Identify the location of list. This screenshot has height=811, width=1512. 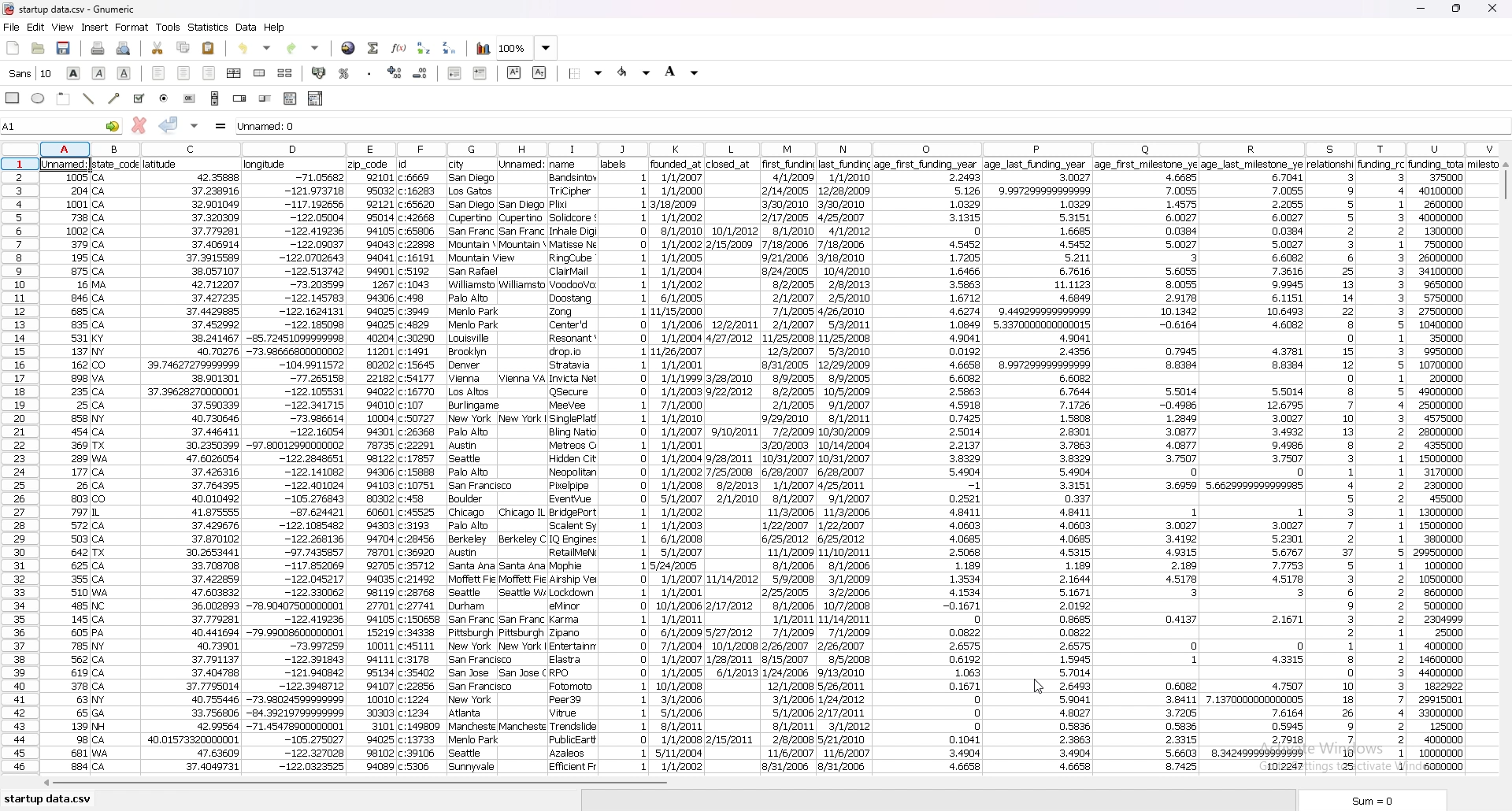
(290, 98).